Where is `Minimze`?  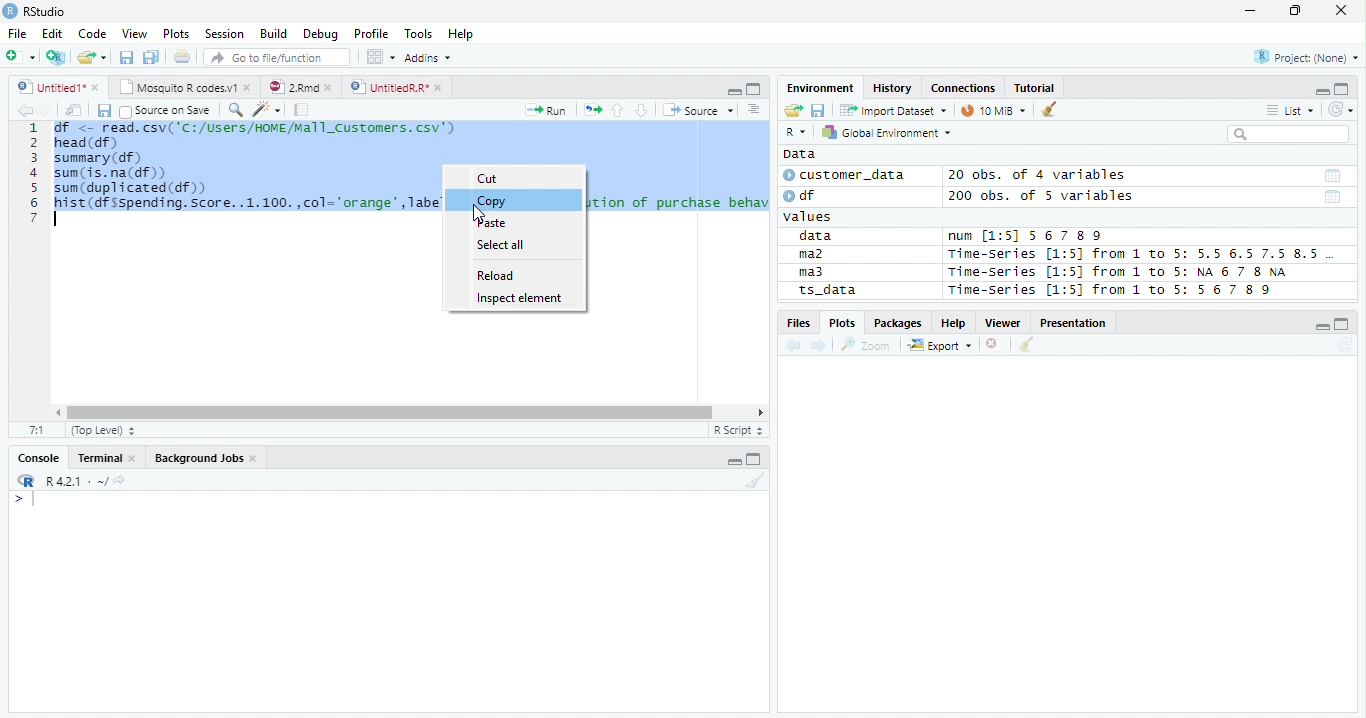
Minimze is located at coordinates (1320, 90).